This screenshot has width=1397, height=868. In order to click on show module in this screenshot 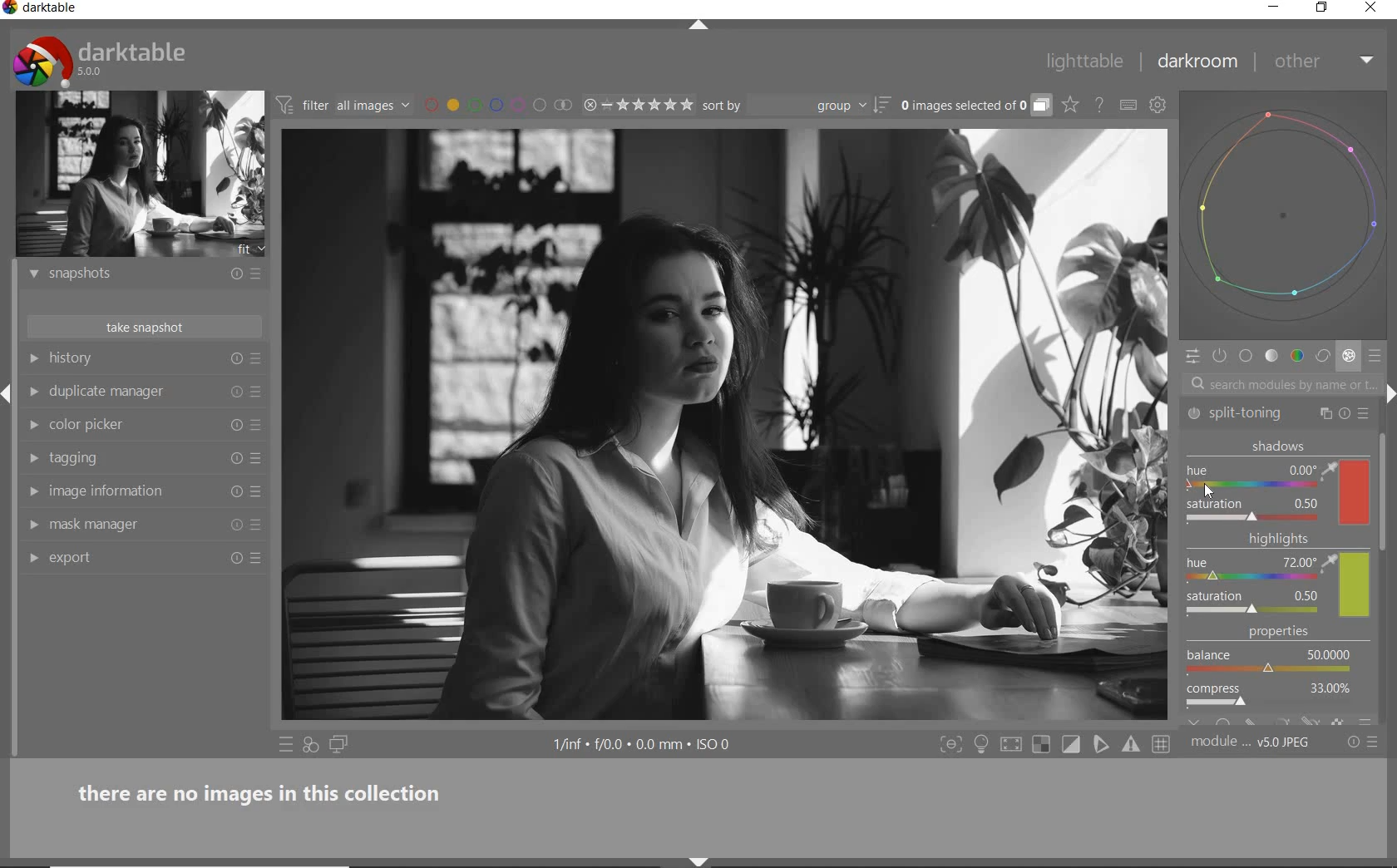, I will do `click(33, 560)`.